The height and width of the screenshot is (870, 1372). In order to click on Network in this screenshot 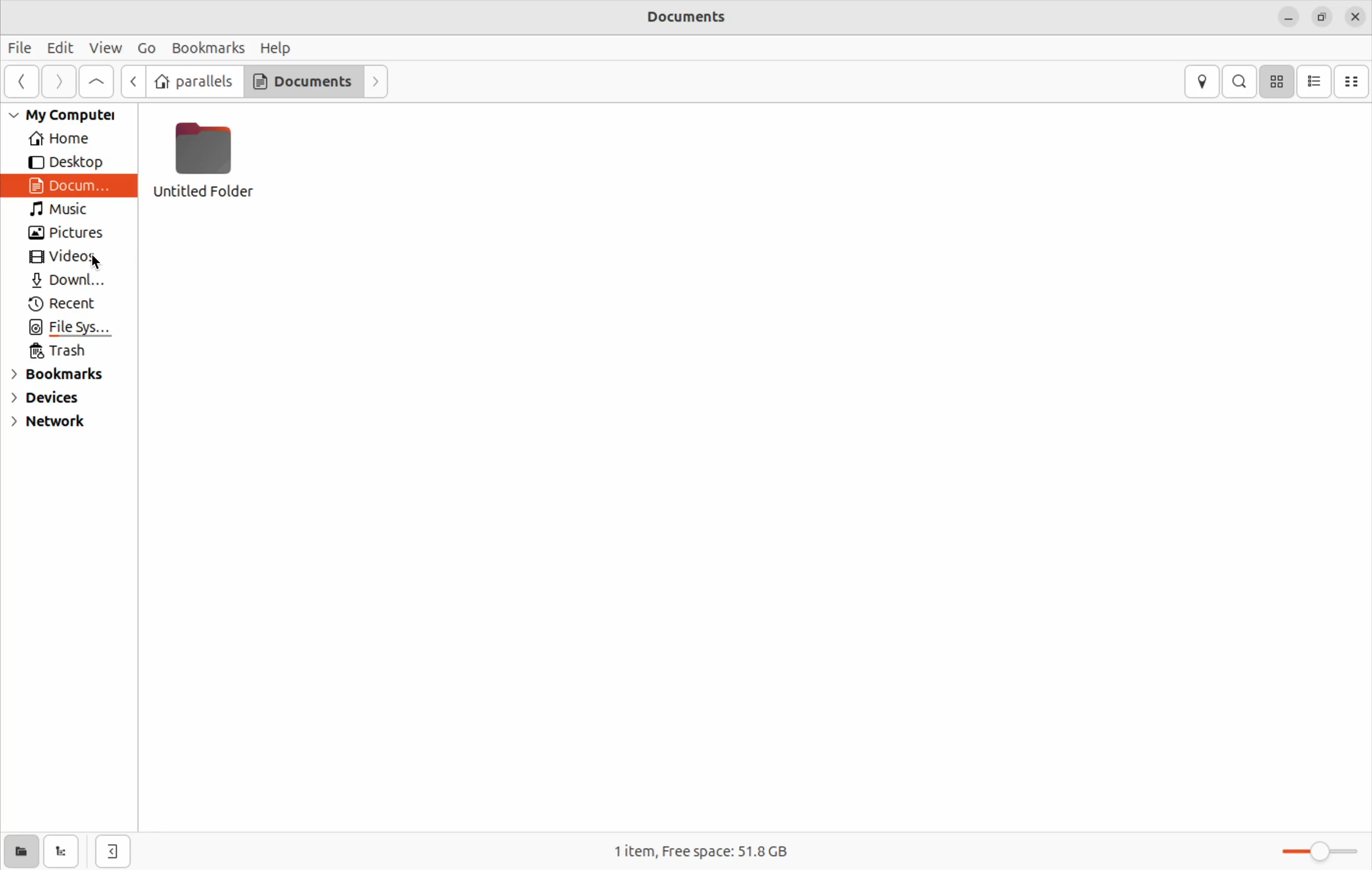, I will do `click(47, 425)`.